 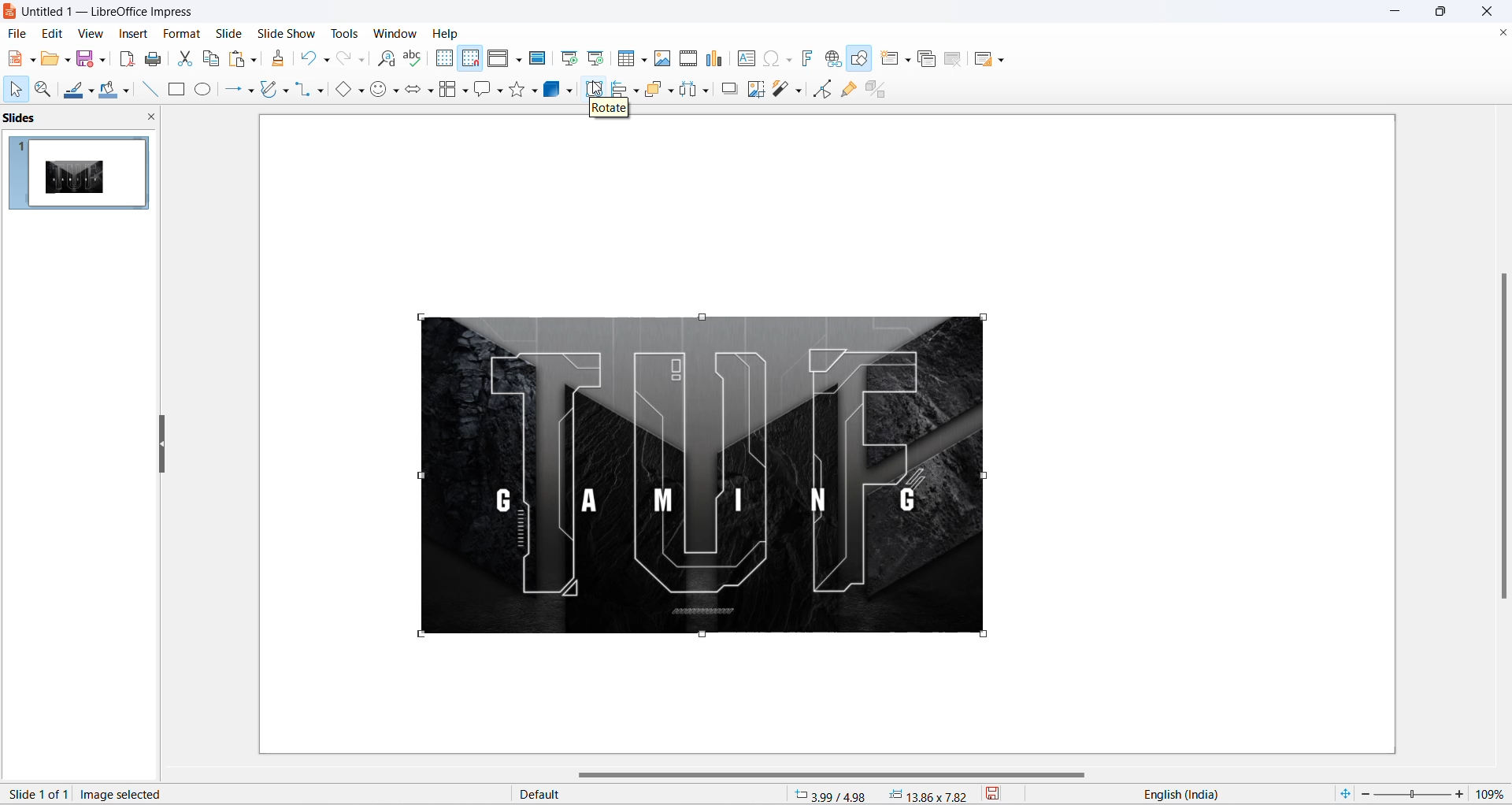 What do you see at coordinates (125, 92) in the screenshot?
I see `fill color options` at bounding box center [125, 92].